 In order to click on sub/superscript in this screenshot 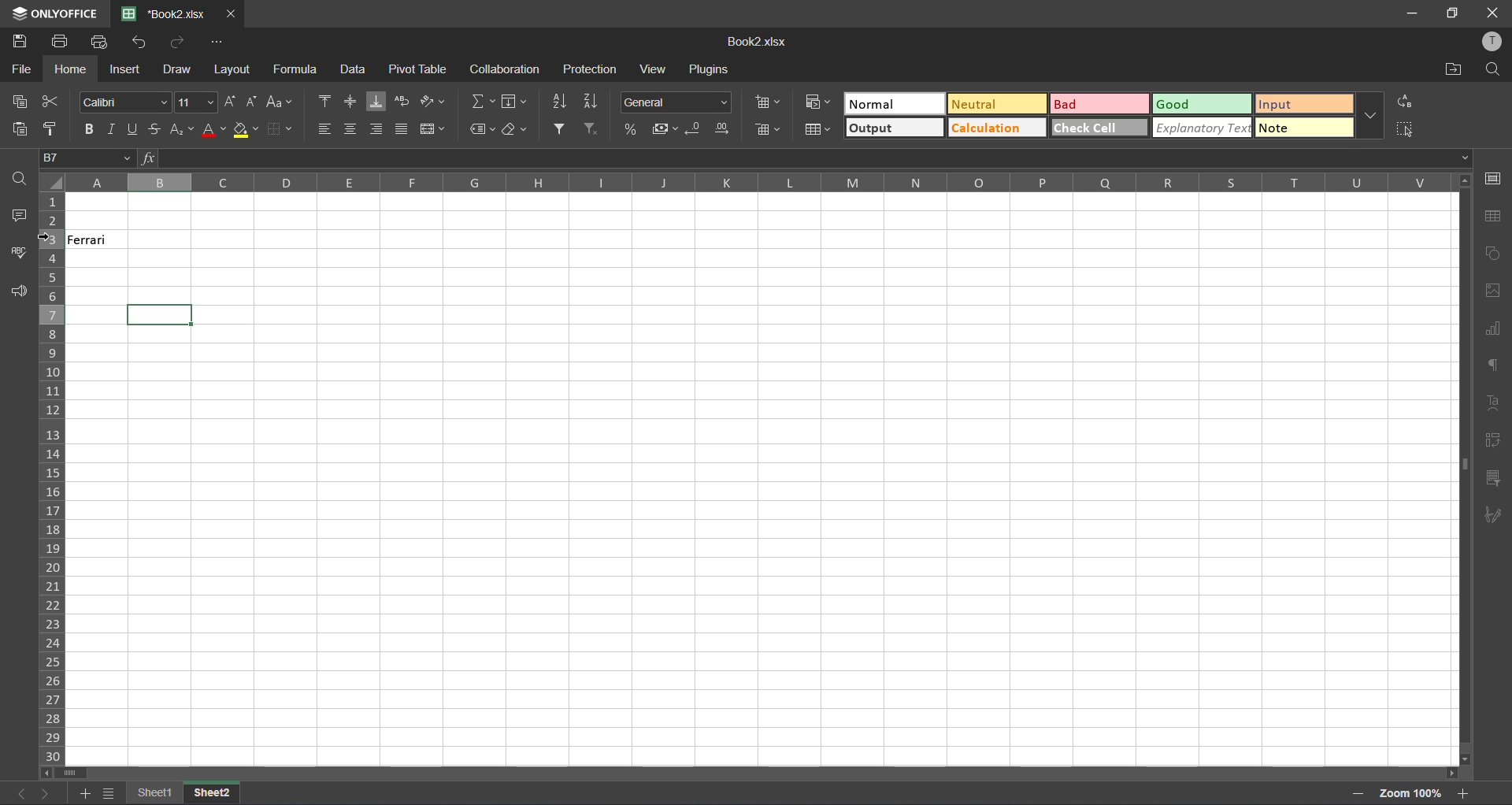, I will do `click(179, 129)`.